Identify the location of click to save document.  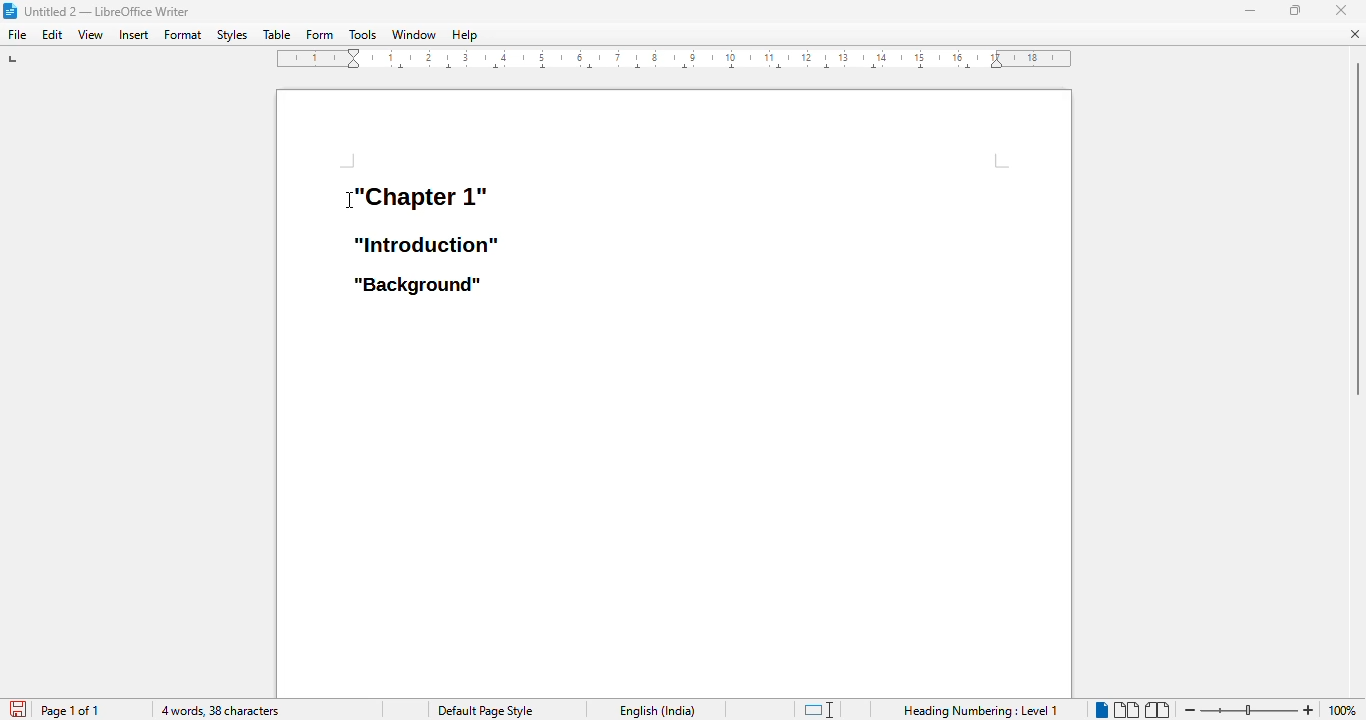
(17, 709).